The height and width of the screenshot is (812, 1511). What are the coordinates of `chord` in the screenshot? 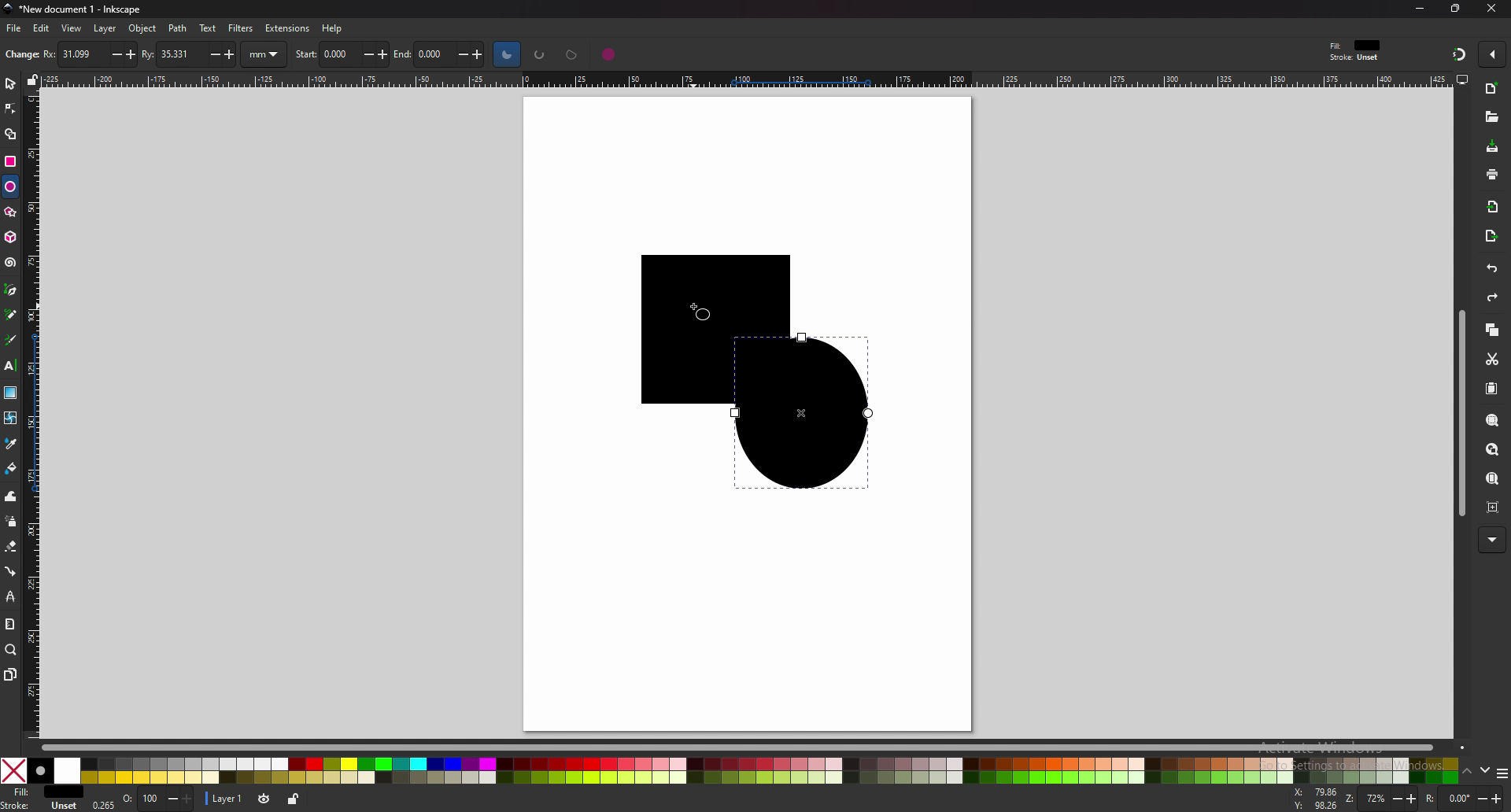 It's located at (572, 54).